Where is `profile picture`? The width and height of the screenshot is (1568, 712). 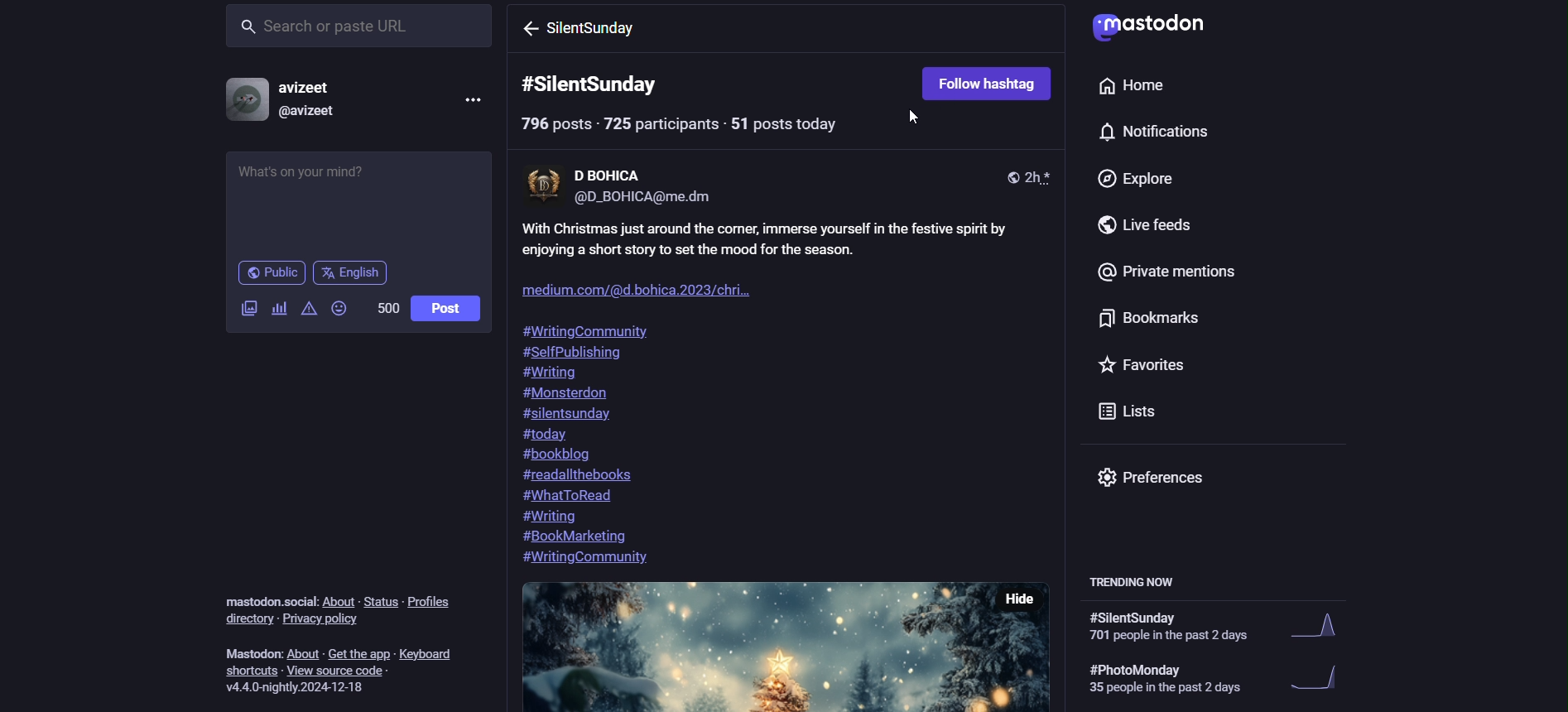
profile picture is located at coordinates (247, 99).